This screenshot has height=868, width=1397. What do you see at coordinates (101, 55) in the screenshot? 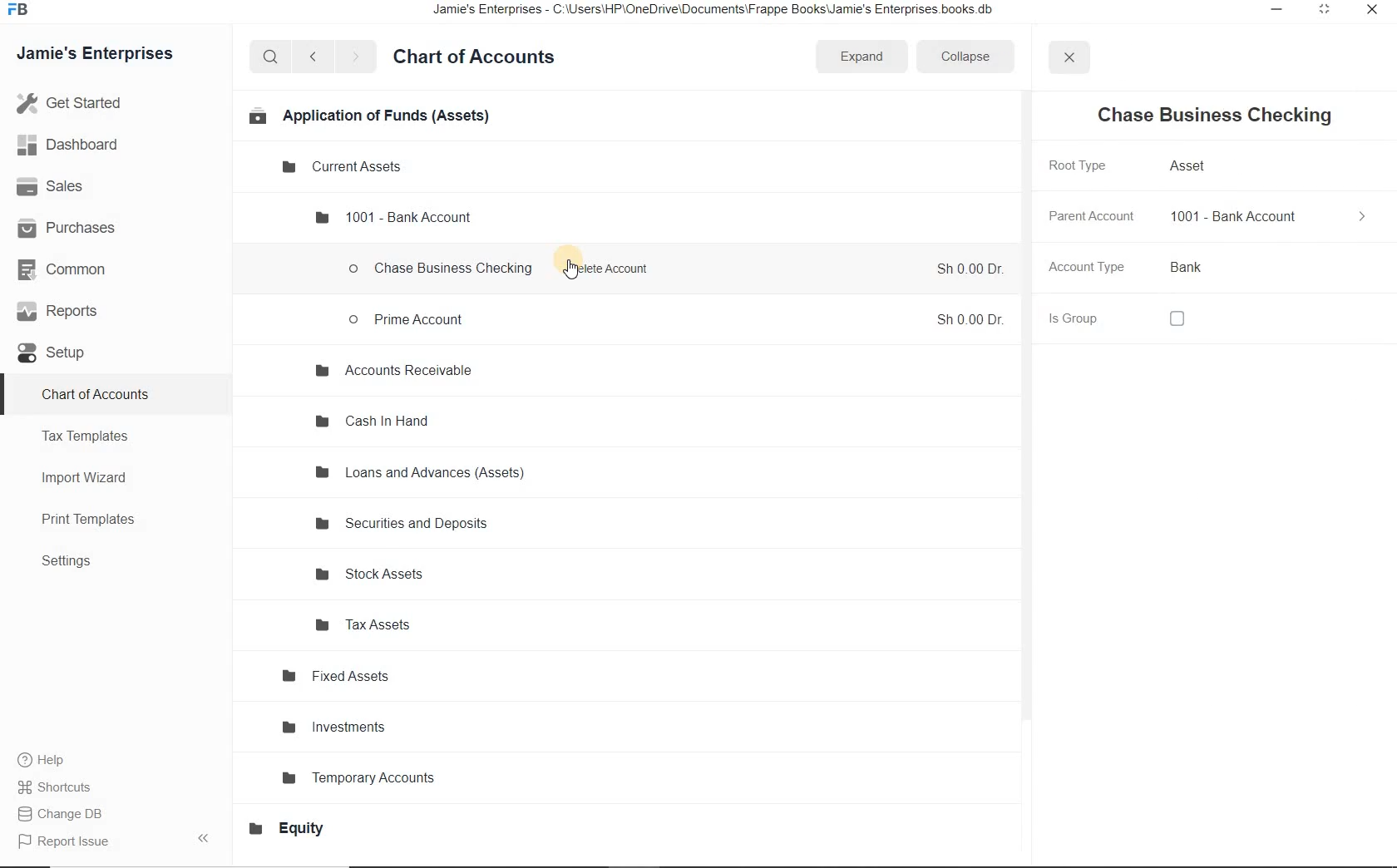
I see `Jamie's Enterprises` at bounding box center [101, 55].